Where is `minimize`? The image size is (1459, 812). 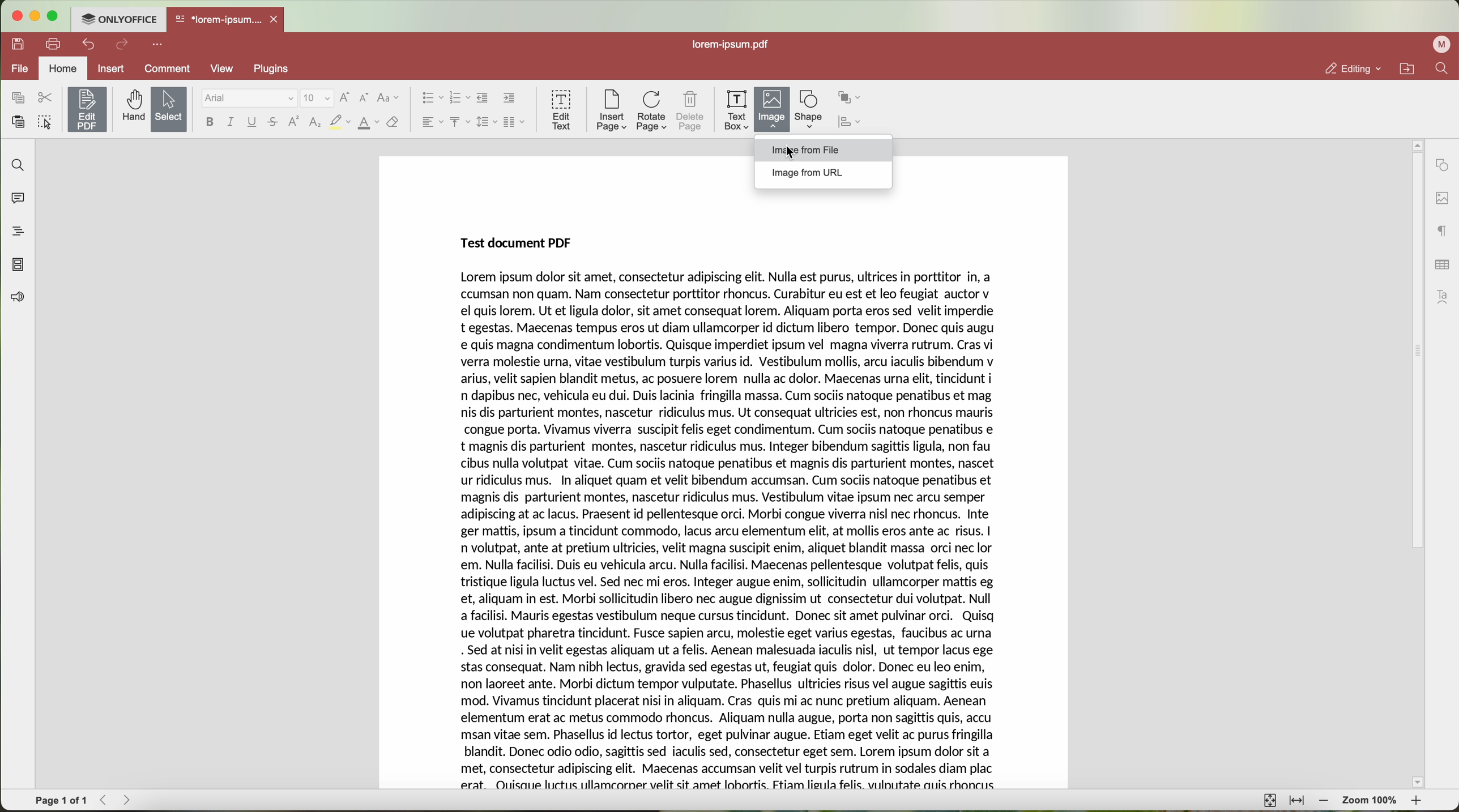 minimize is located at coordinates (34, 16).